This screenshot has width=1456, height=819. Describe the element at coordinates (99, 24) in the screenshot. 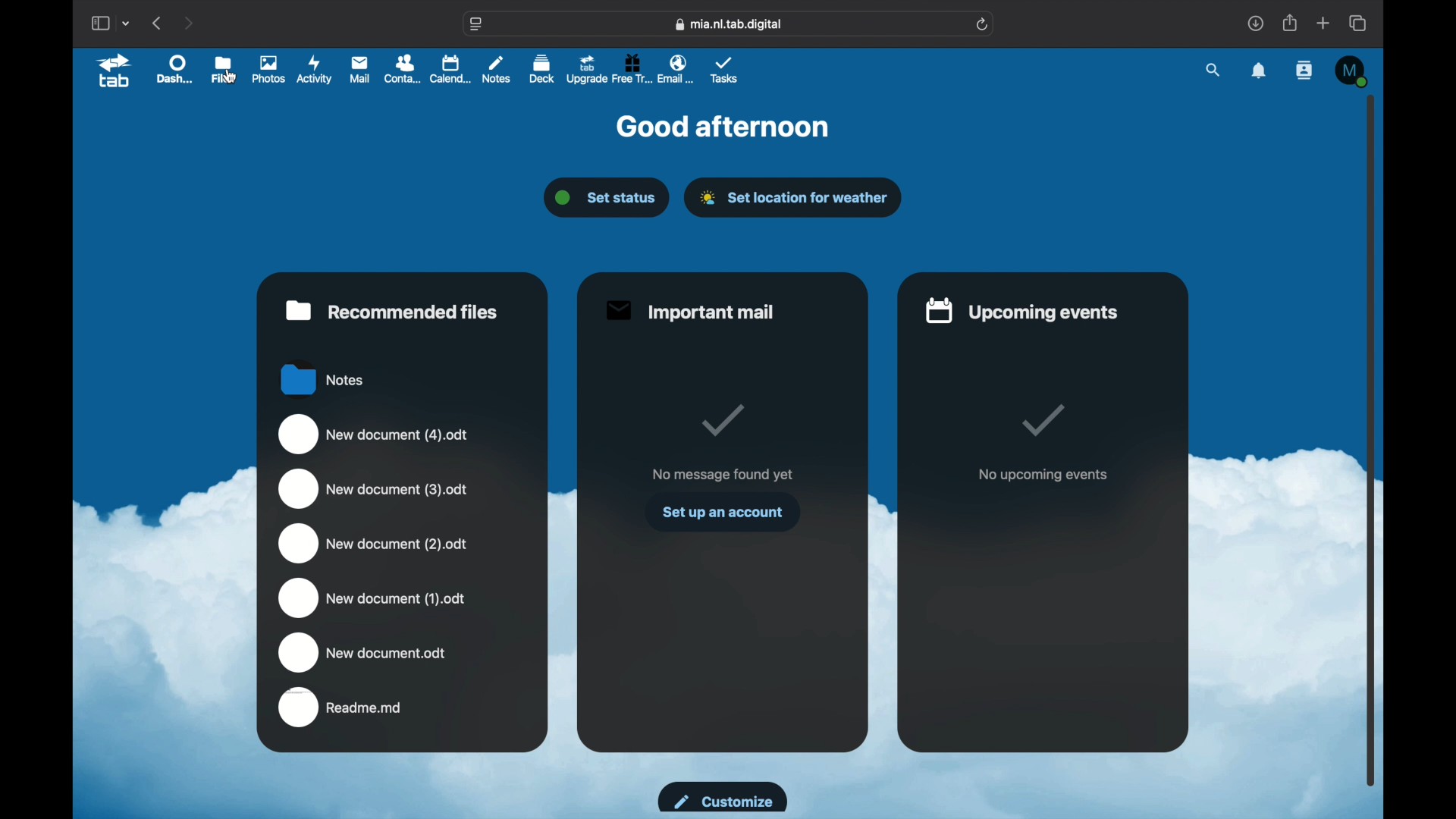

I see `show sidebar` at that location.